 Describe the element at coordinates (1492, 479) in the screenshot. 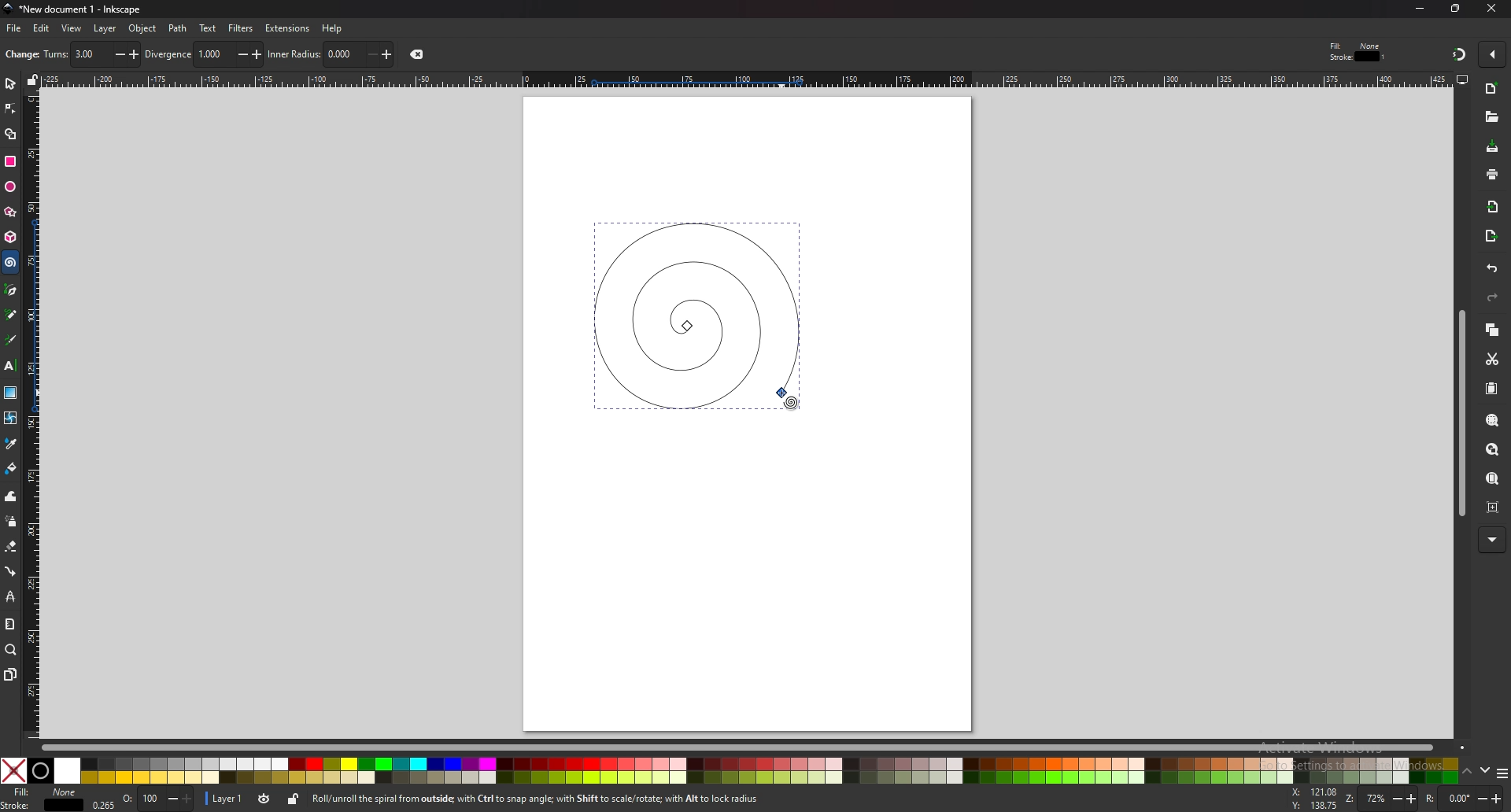

I see `zoom page` at that location.